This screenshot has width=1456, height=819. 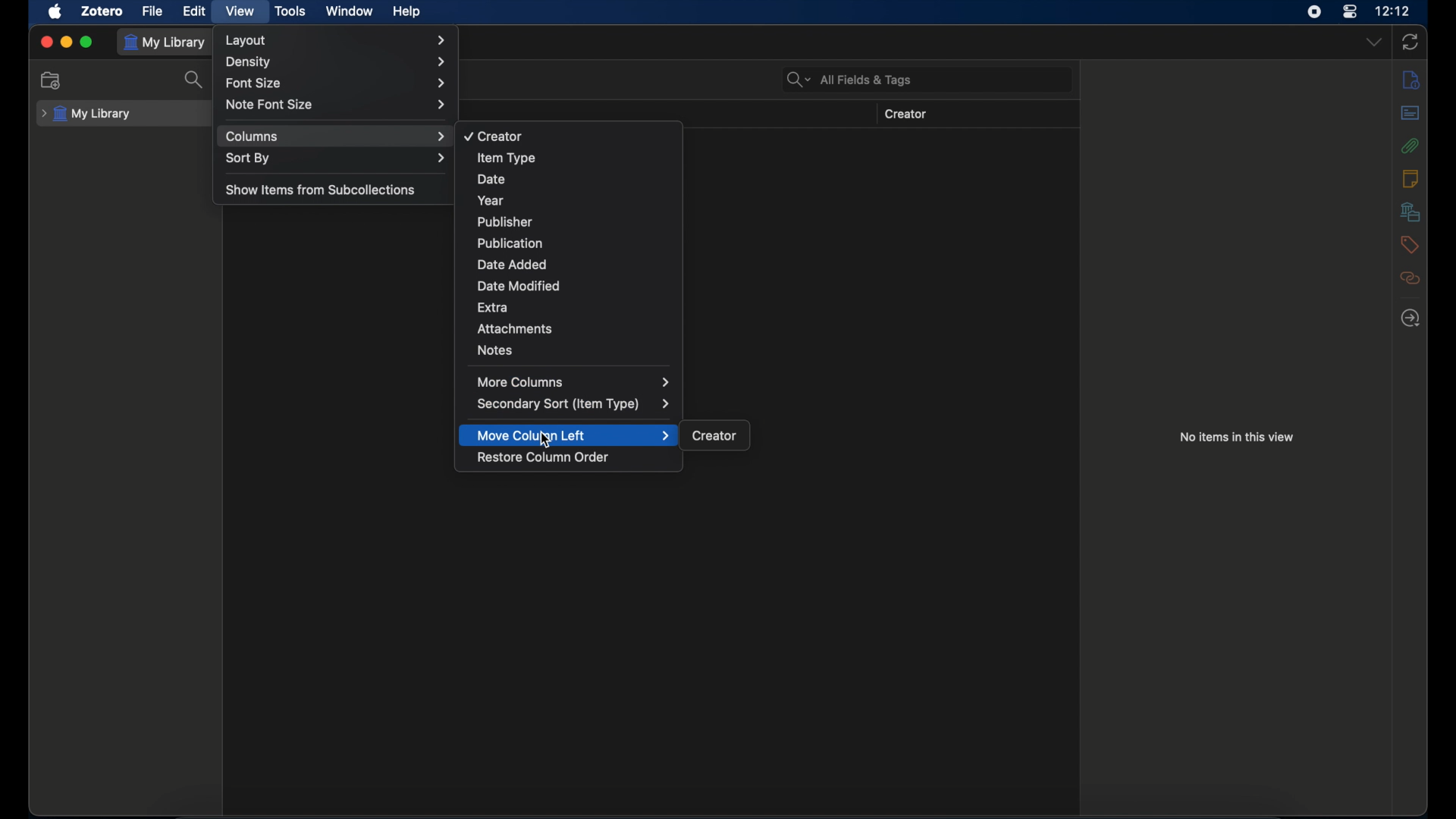 What do you see at coordinates (406, 11) in the screenshot?
I see `help` at bounding box center [406, 11].